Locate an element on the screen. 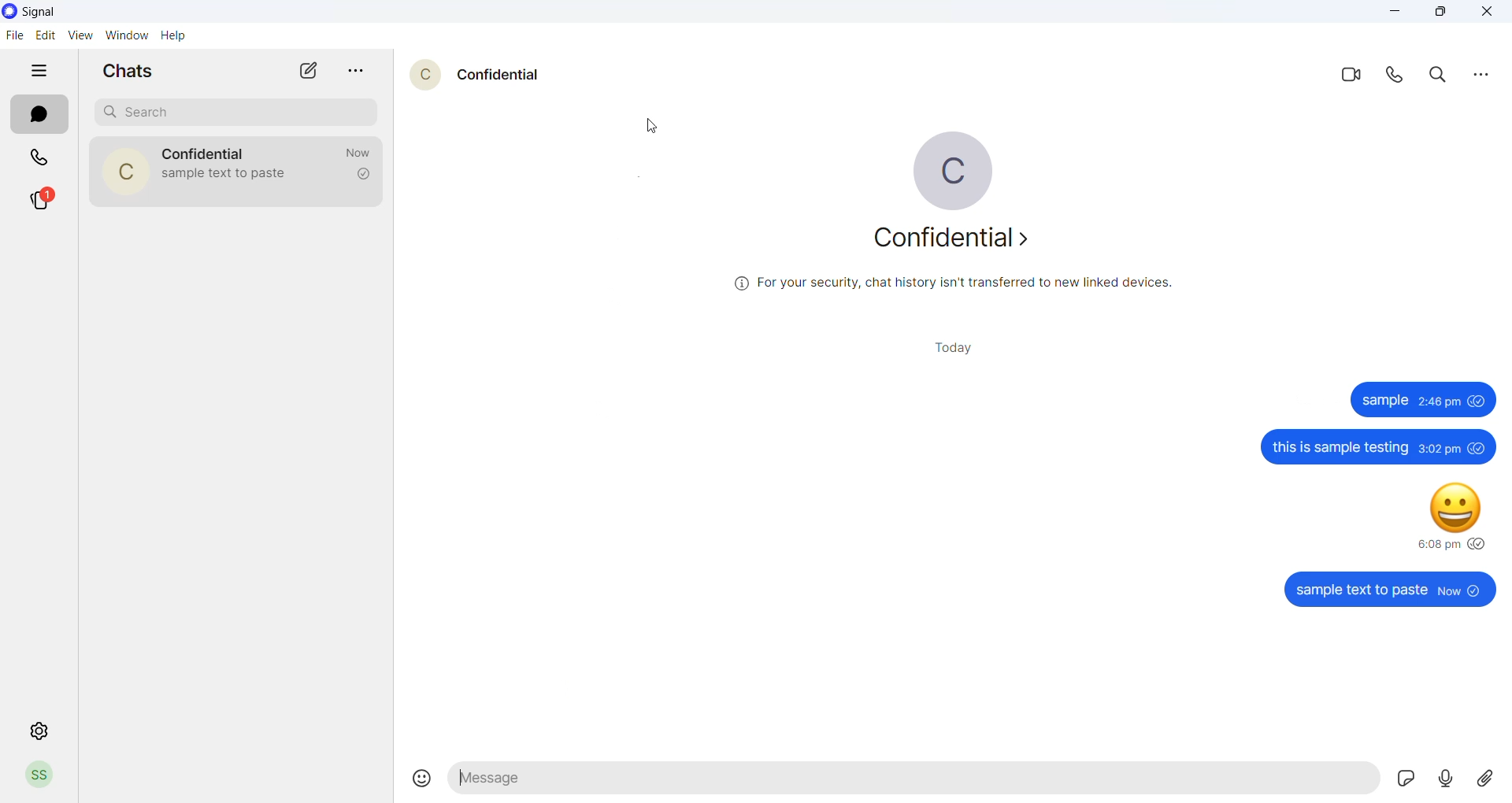 This screenshot has height=803, width=1512. sample text to paste is located at coordinates (1385, 590).